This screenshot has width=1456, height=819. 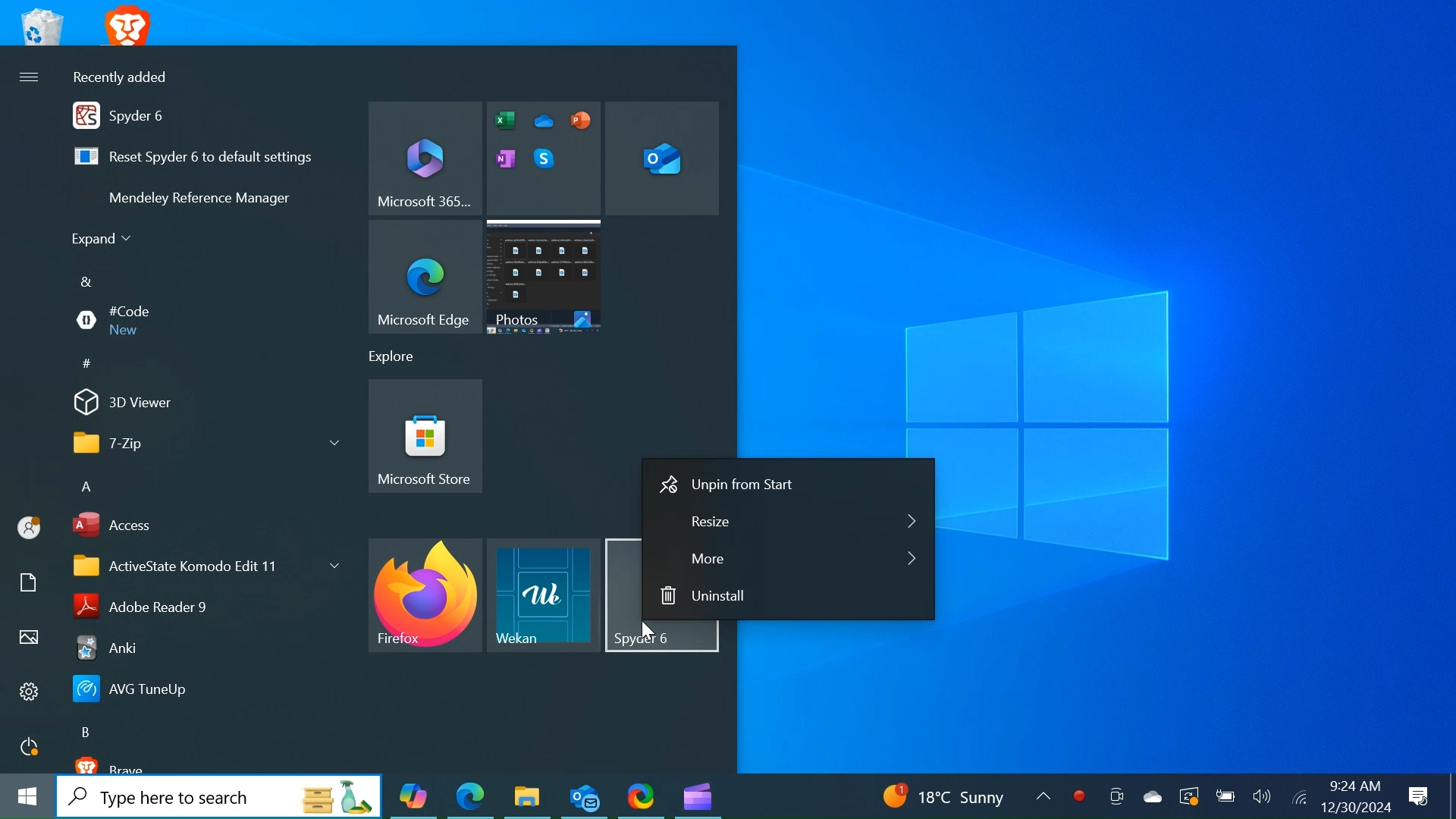 What do you see at coordinates (789, 522) in the screenshot?
I see `Resize` at bounding box center [789, 522].